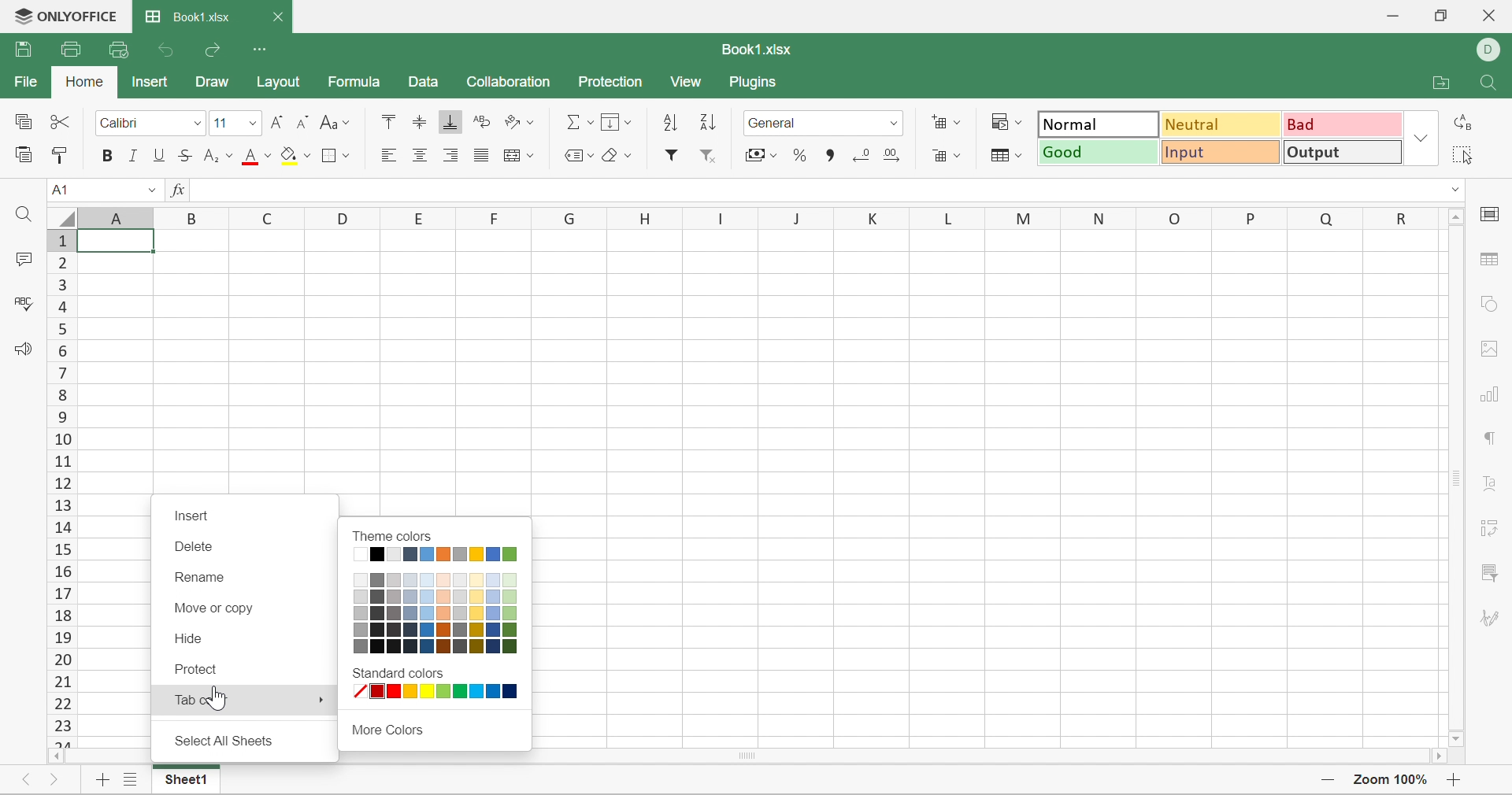 Image resolution: width=1512 pixels, height=795 pixels. What do you see at coordinates (295, 156) in the screenshot?
I see `Fill color` at bounding box center [295, 156].